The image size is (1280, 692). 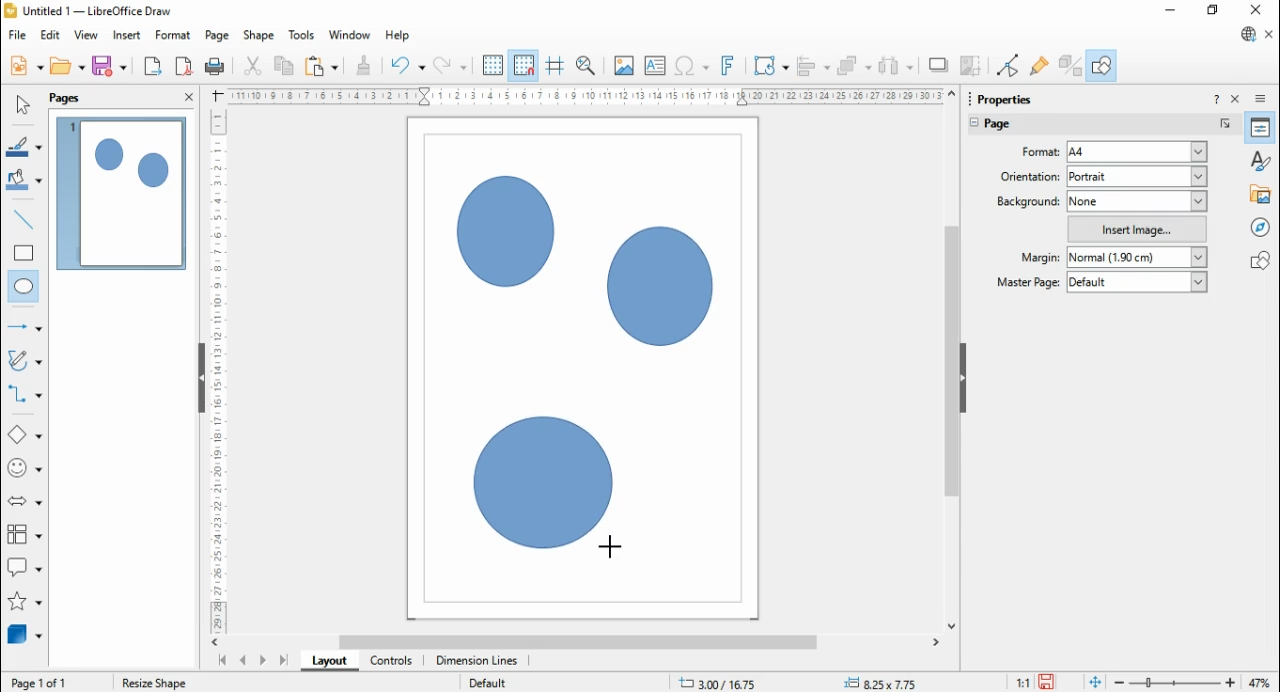 I want to click on line and arrows, so click(x=25, y=327).